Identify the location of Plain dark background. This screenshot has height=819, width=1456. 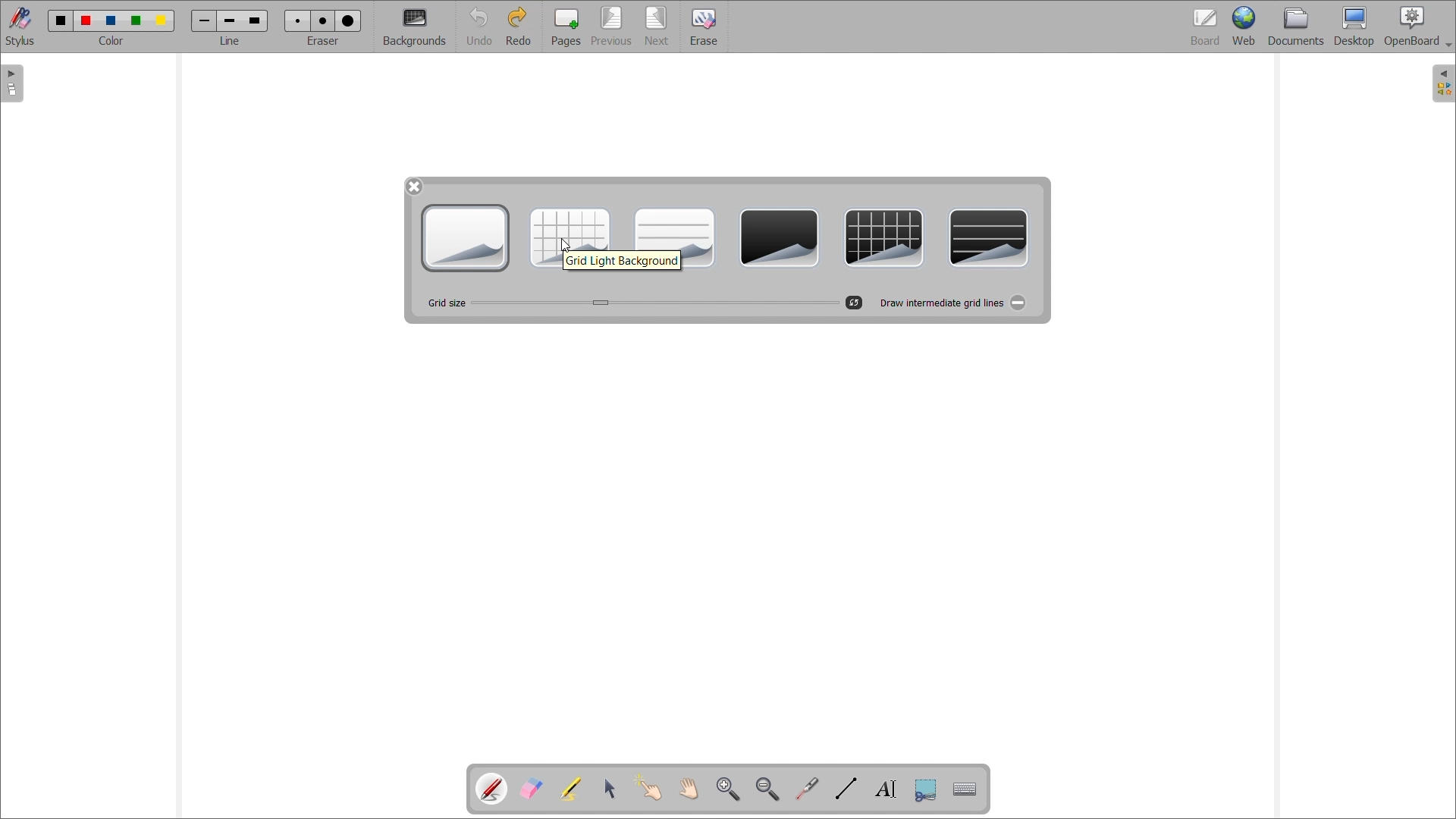
(779, 238).